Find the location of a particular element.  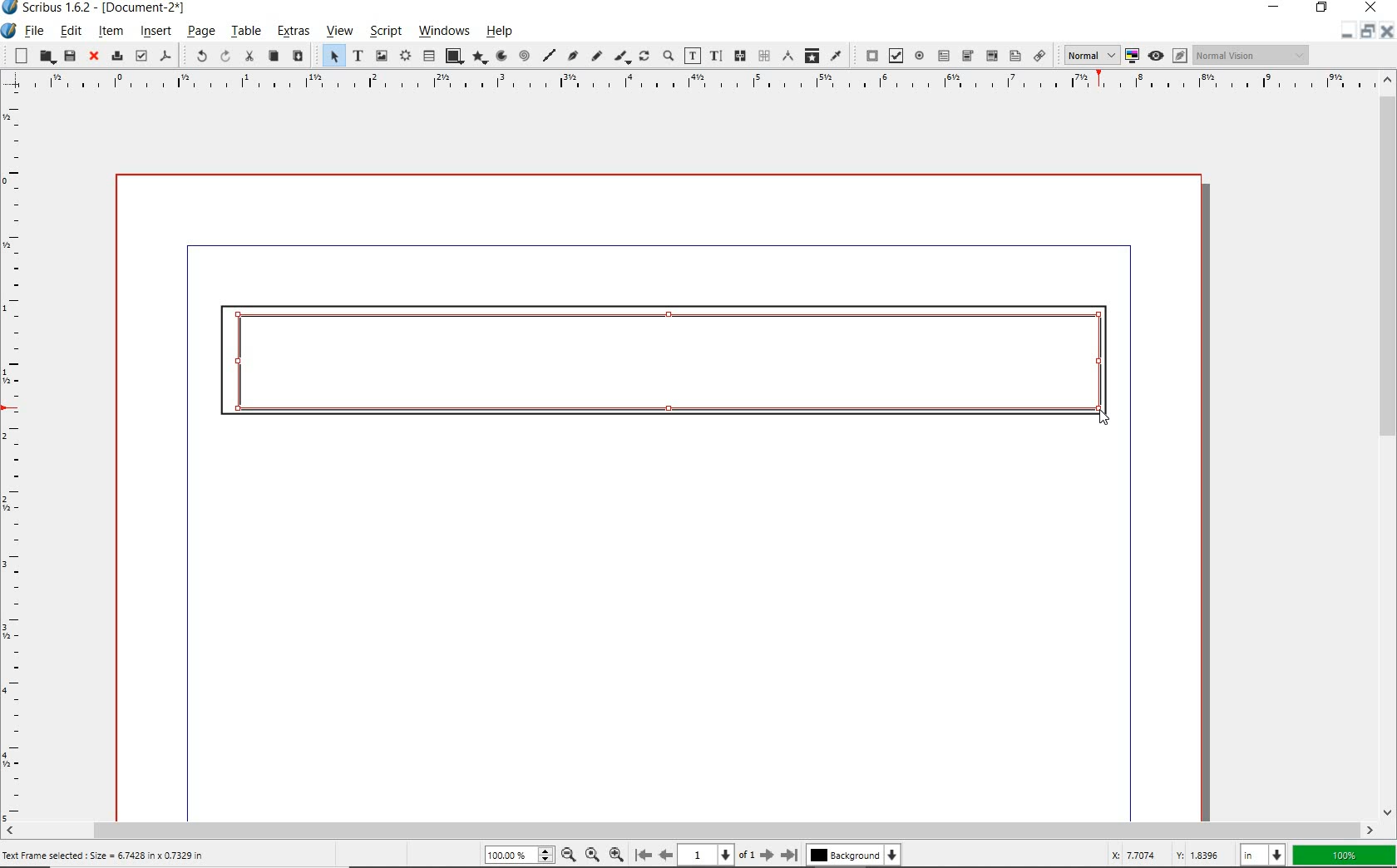

zoom level is located at coordinates (518, 856).